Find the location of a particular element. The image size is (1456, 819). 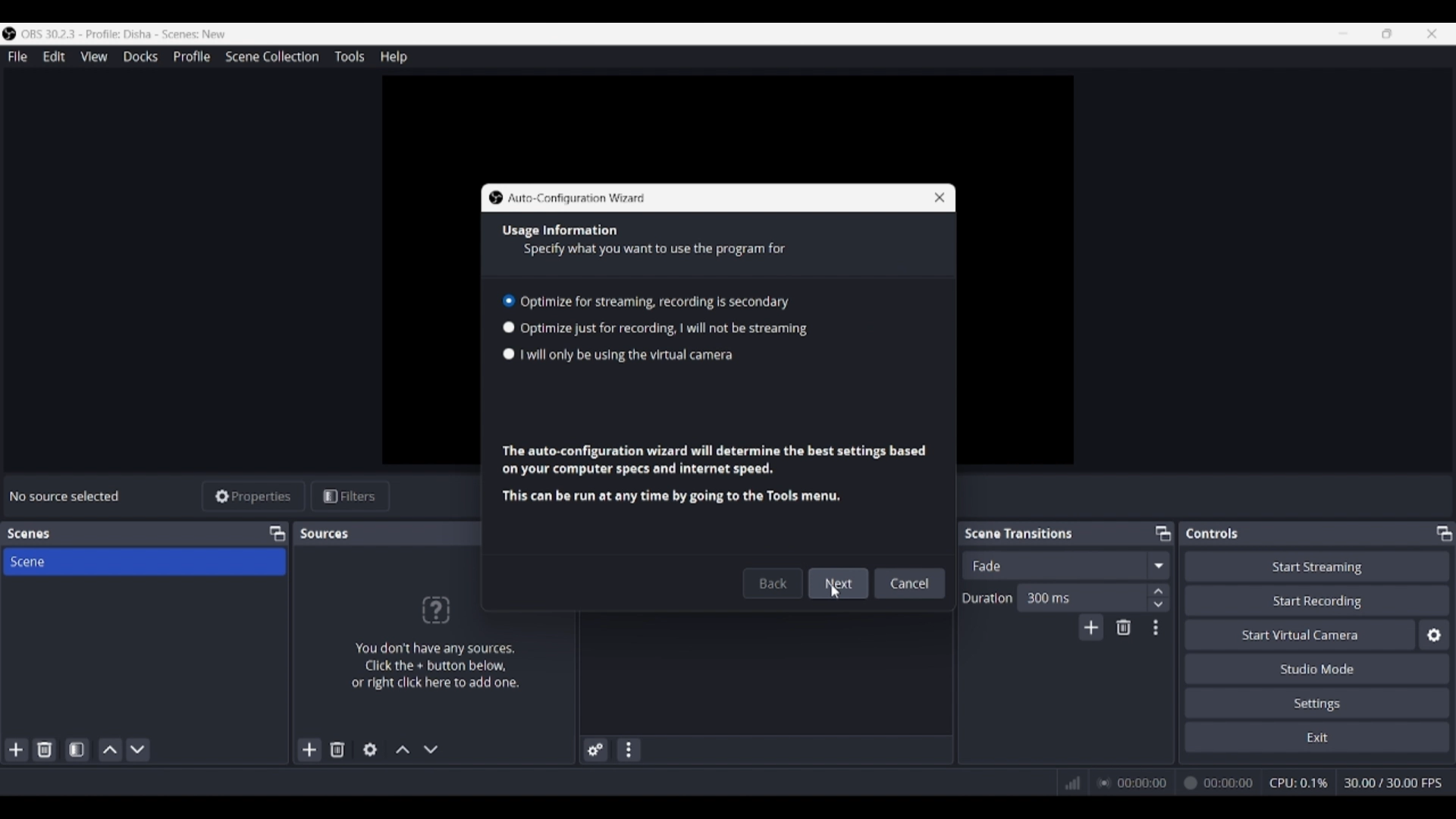

Text description of window is located at coordinates (714, 472).